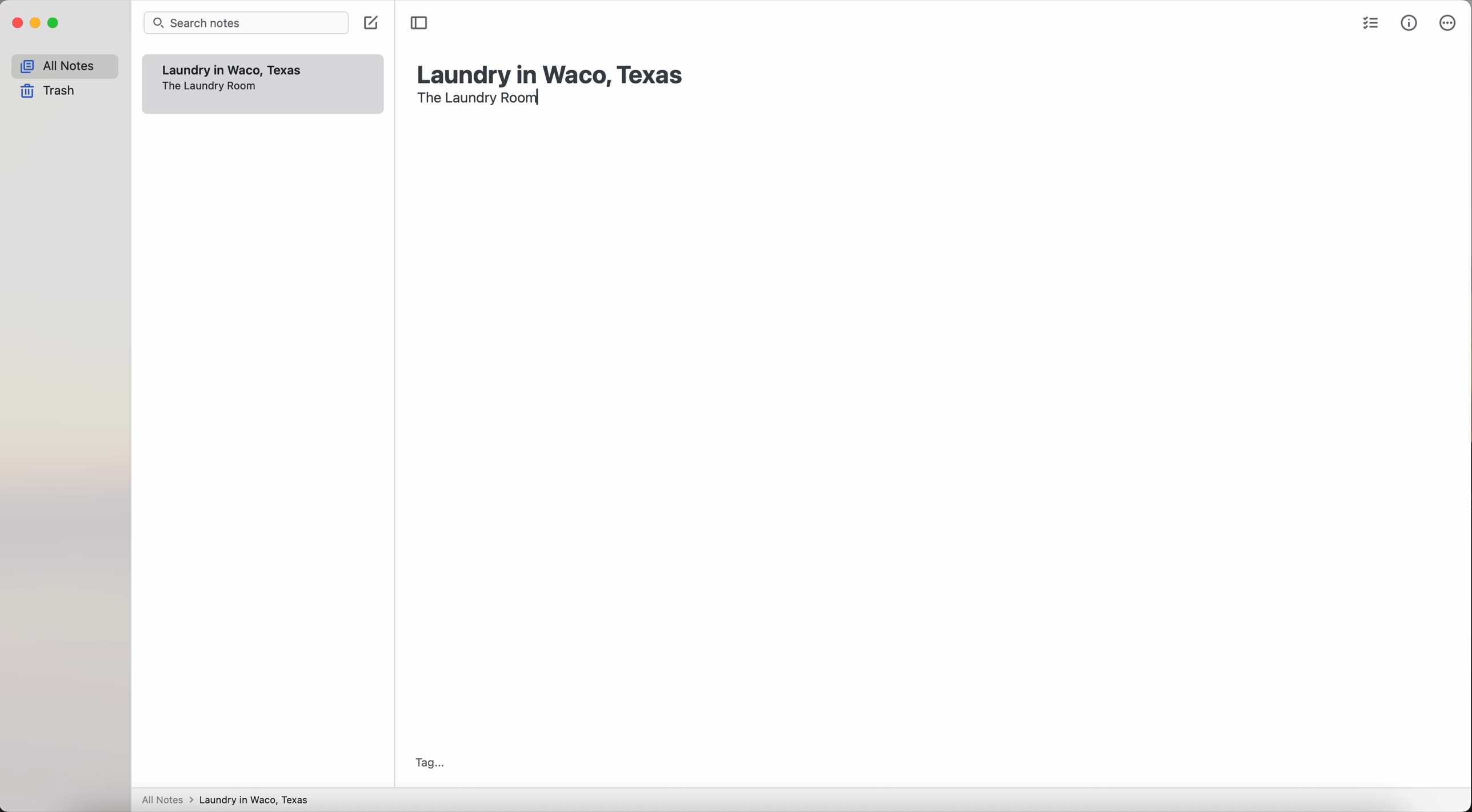 The width and height of the screenshot is (1472, 812). Describe the element at coordinates (209, 87) in the screenshot. I see `the laundry room` at that location.